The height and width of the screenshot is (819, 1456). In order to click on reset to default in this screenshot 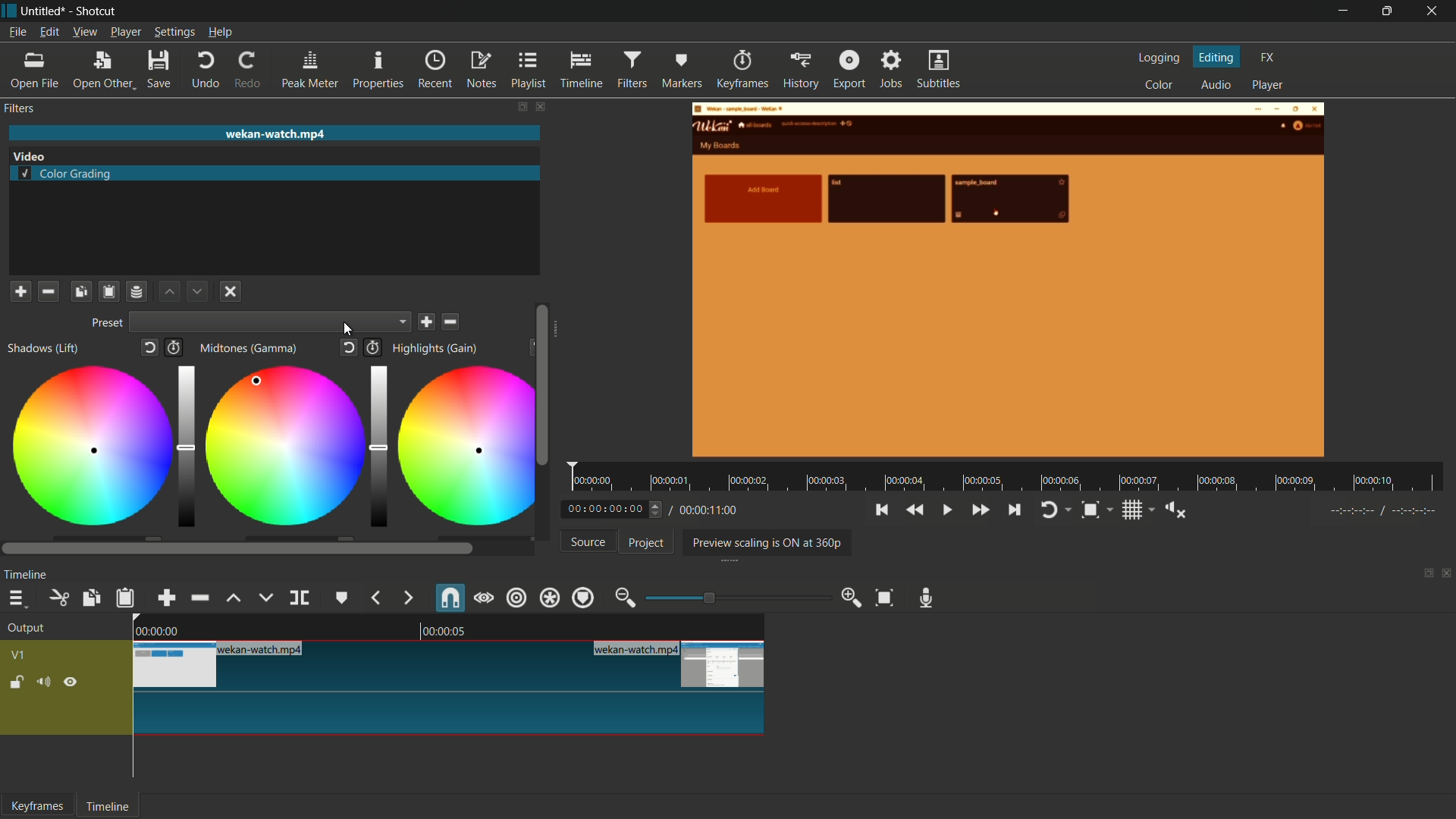, I will do `click(350, 347)`.